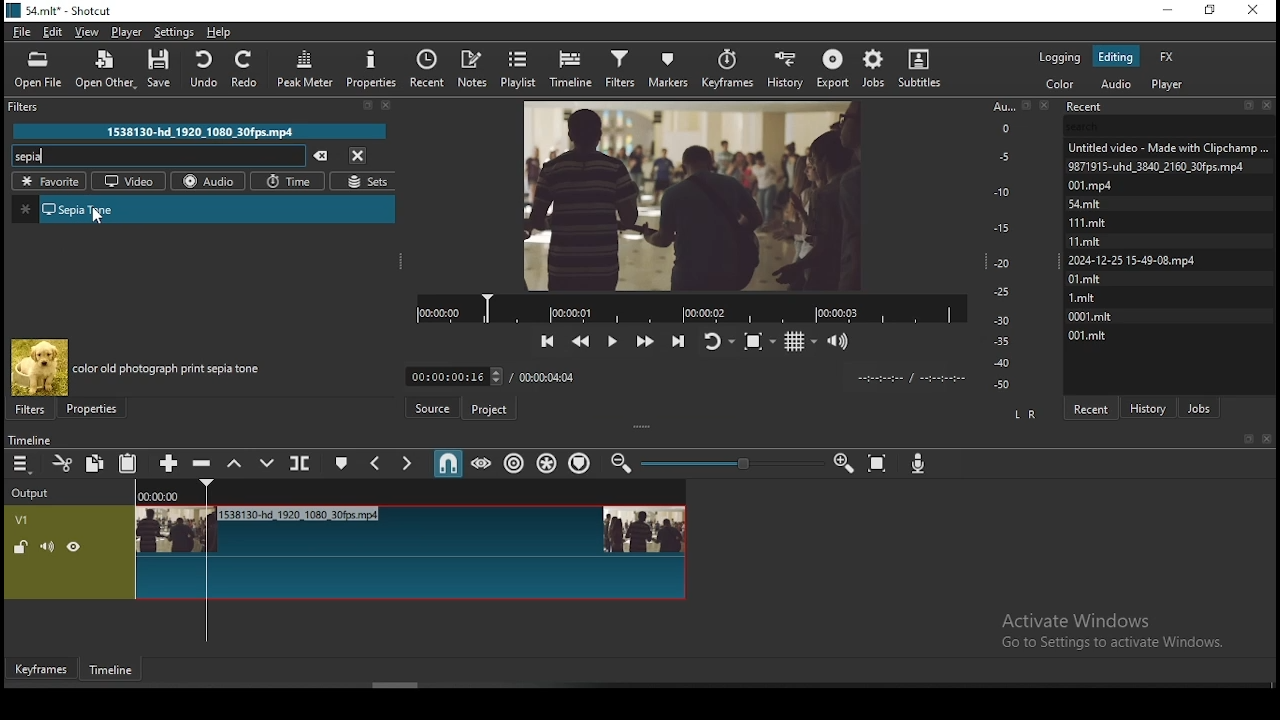 The height and width of the screenshot is (720, 1280). Describe the element at coordinates (248, 69) in the screenshot. I see `redo` at that location.